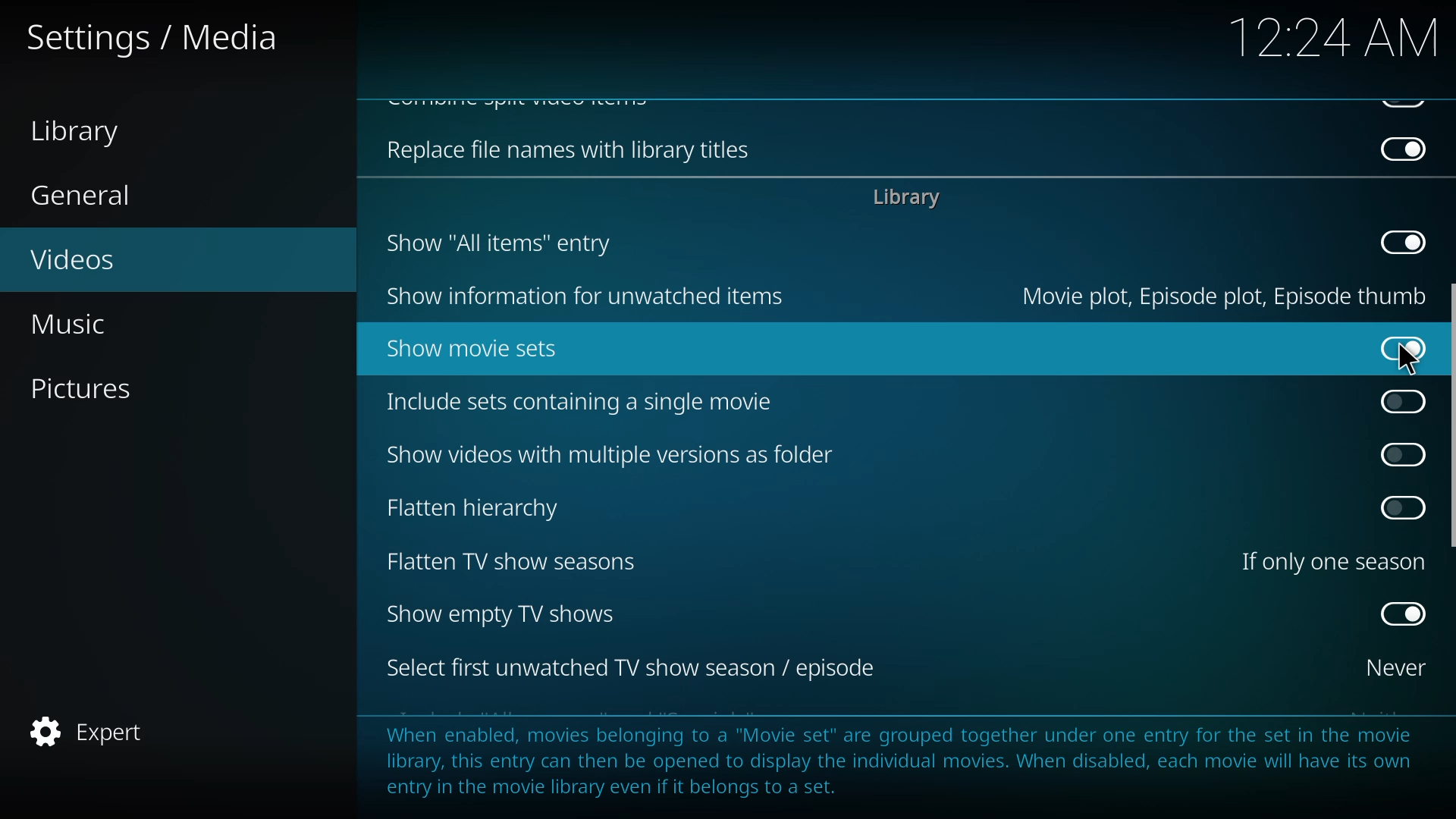  I want to click on flatten hierarchy, so click(475, 507).